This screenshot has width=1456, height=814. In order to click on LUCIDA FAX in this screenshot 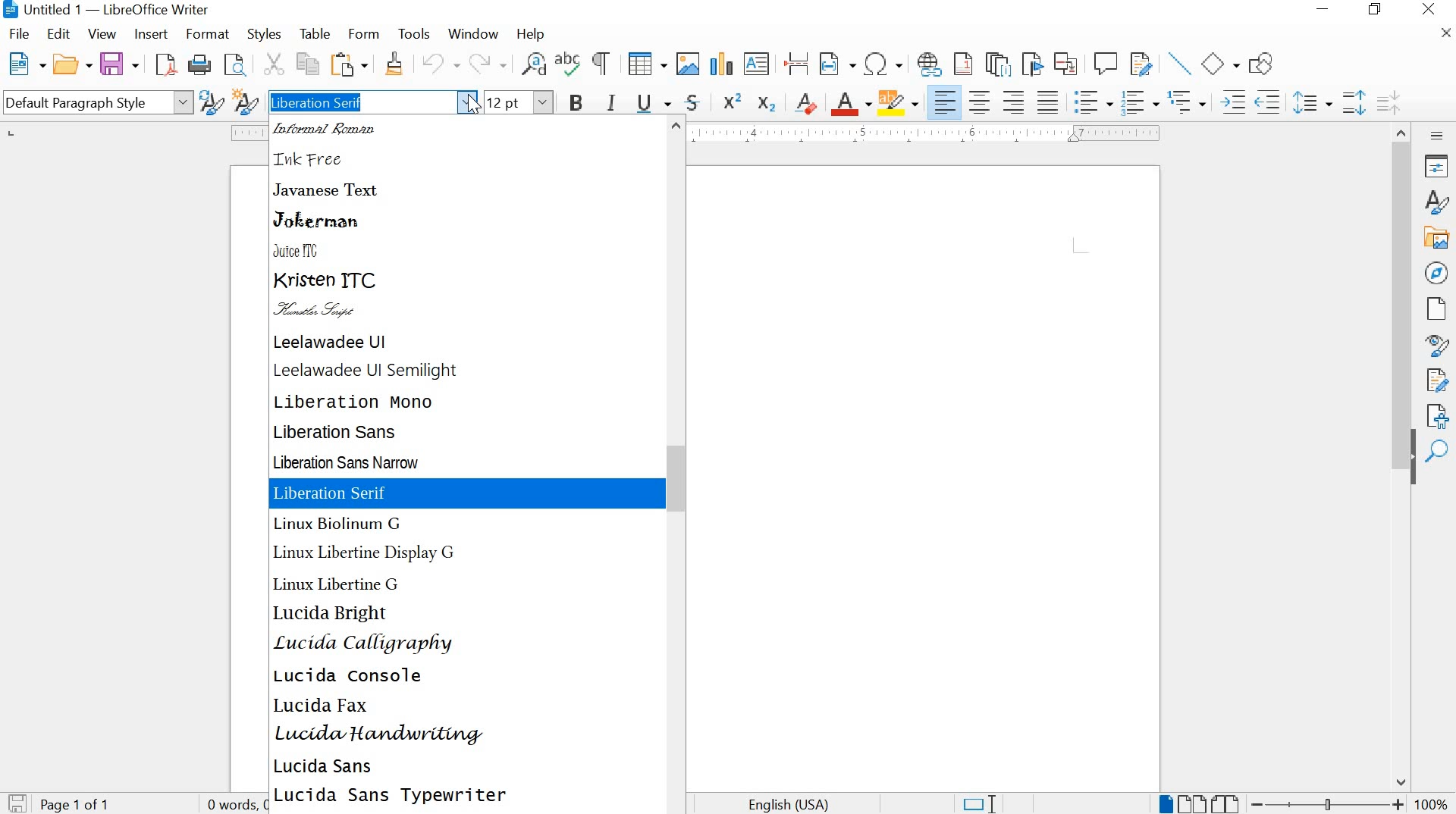, I will do `click(324, 708)`.